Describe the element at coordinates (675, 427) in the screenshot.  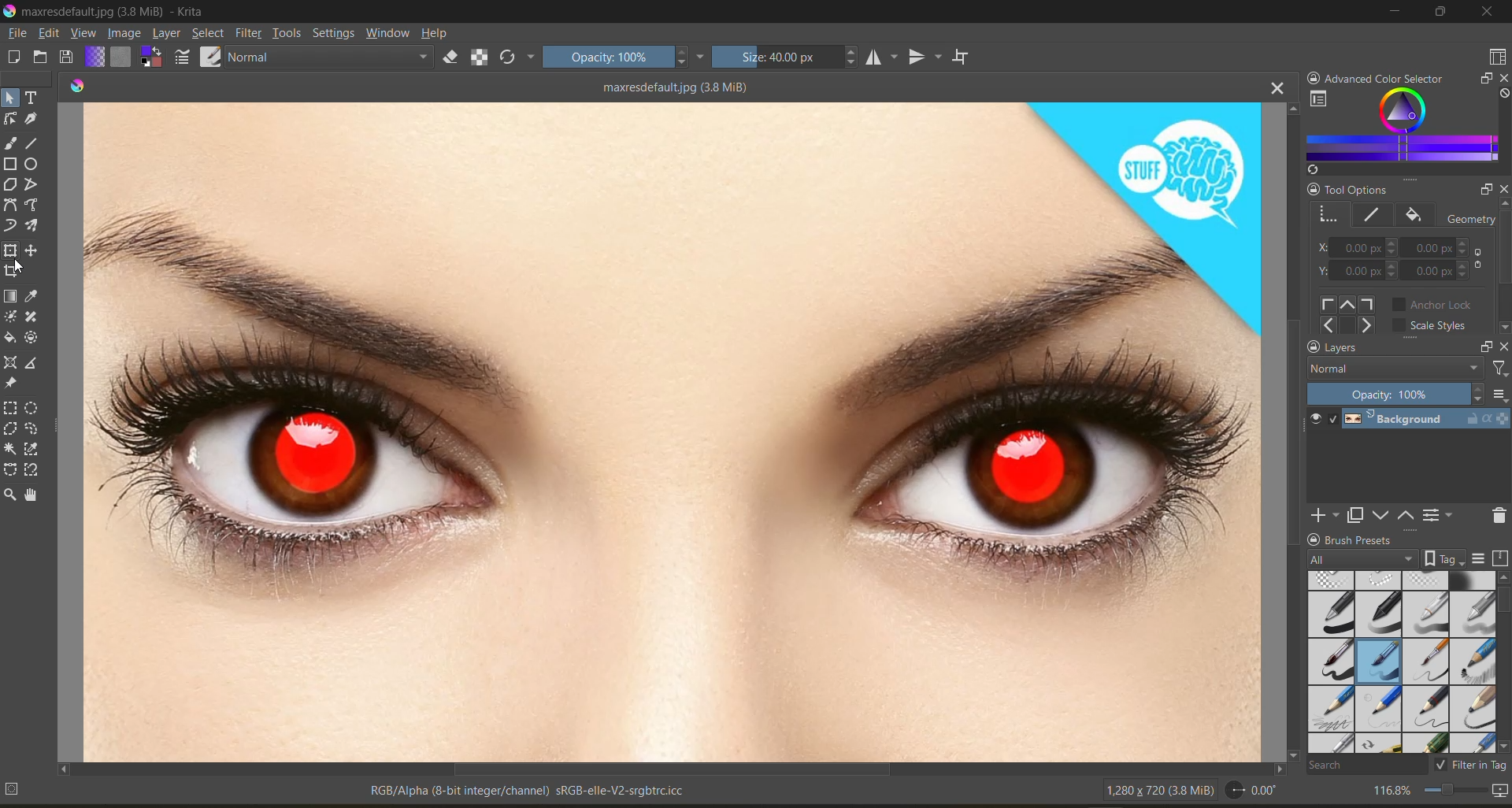
I see `photo` at that location.